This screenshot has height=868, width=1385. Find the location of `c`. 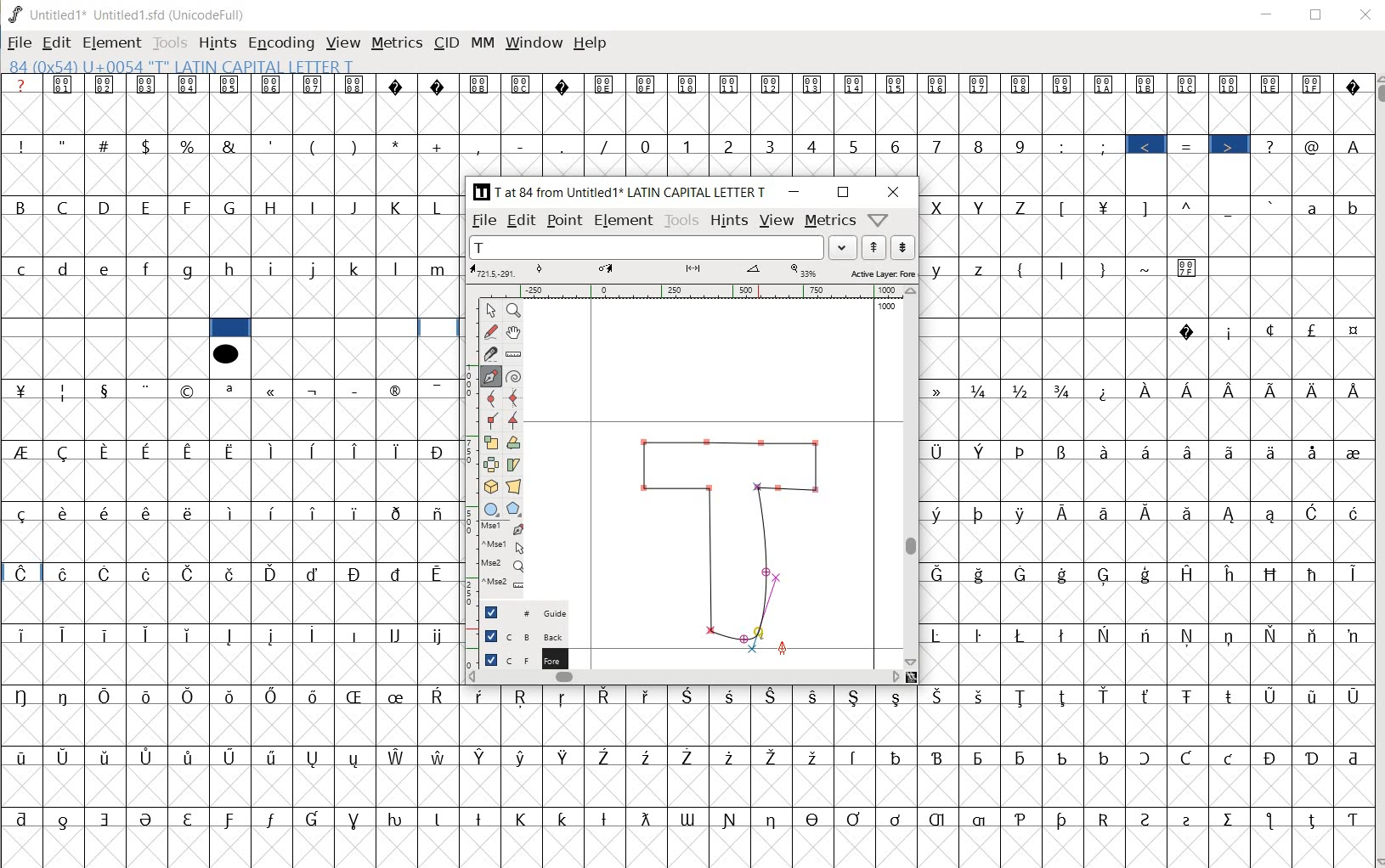

c is located at coordinates (21, 268).